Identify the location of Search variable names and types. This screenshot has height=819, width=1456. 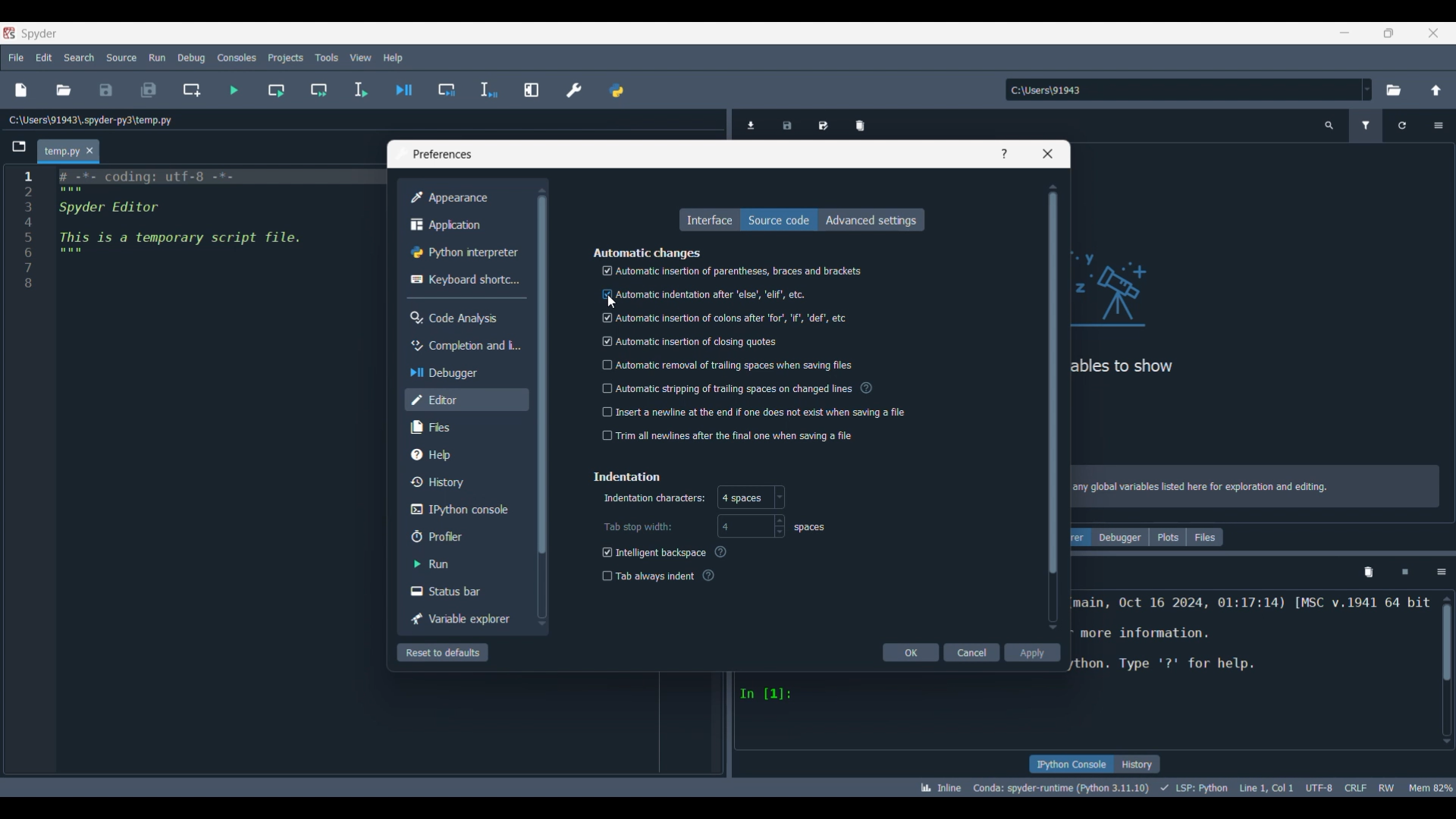
(1329, 126).